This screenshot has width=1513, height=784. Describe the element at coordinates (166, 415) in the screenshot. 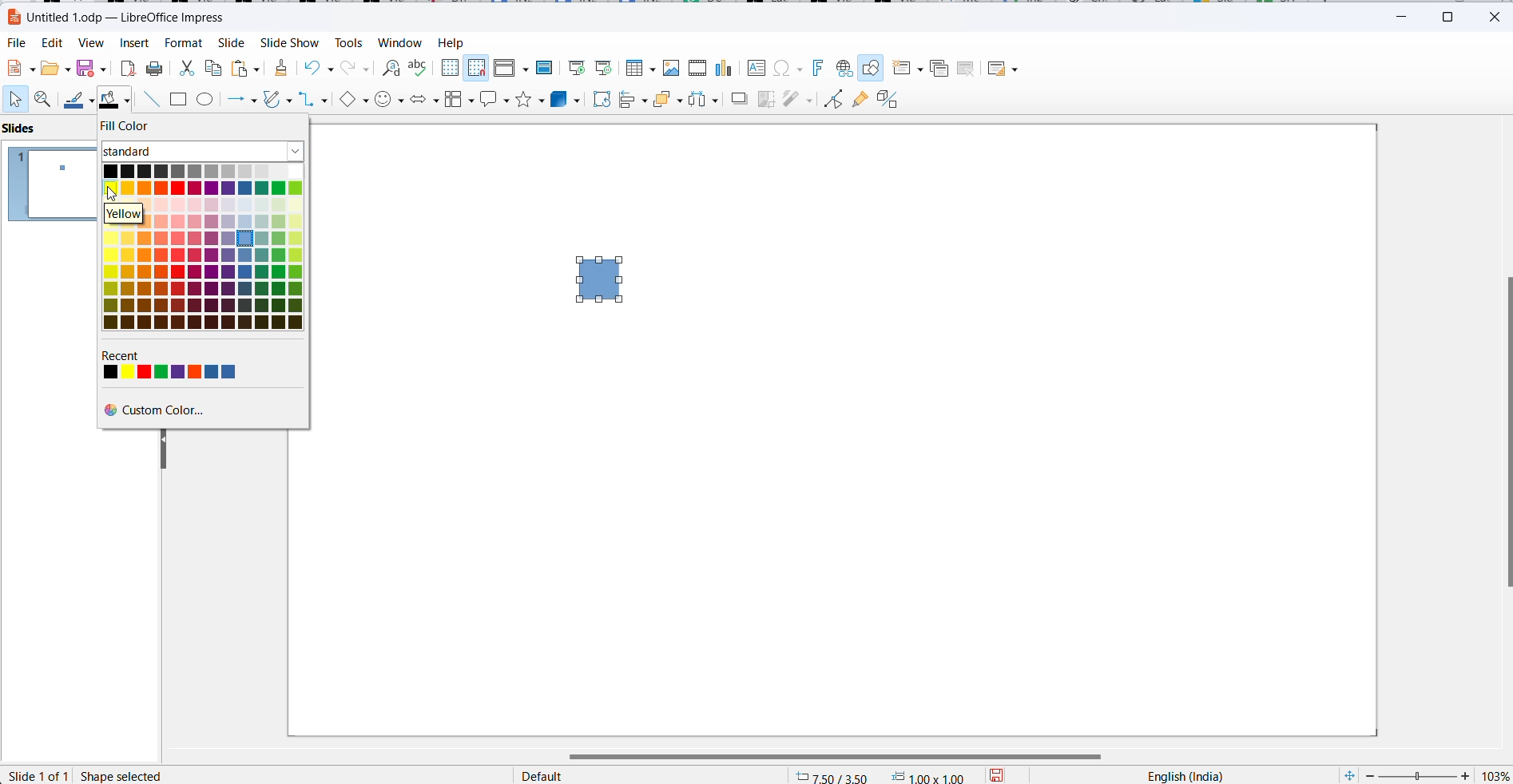

I see `custom color options` at that location.